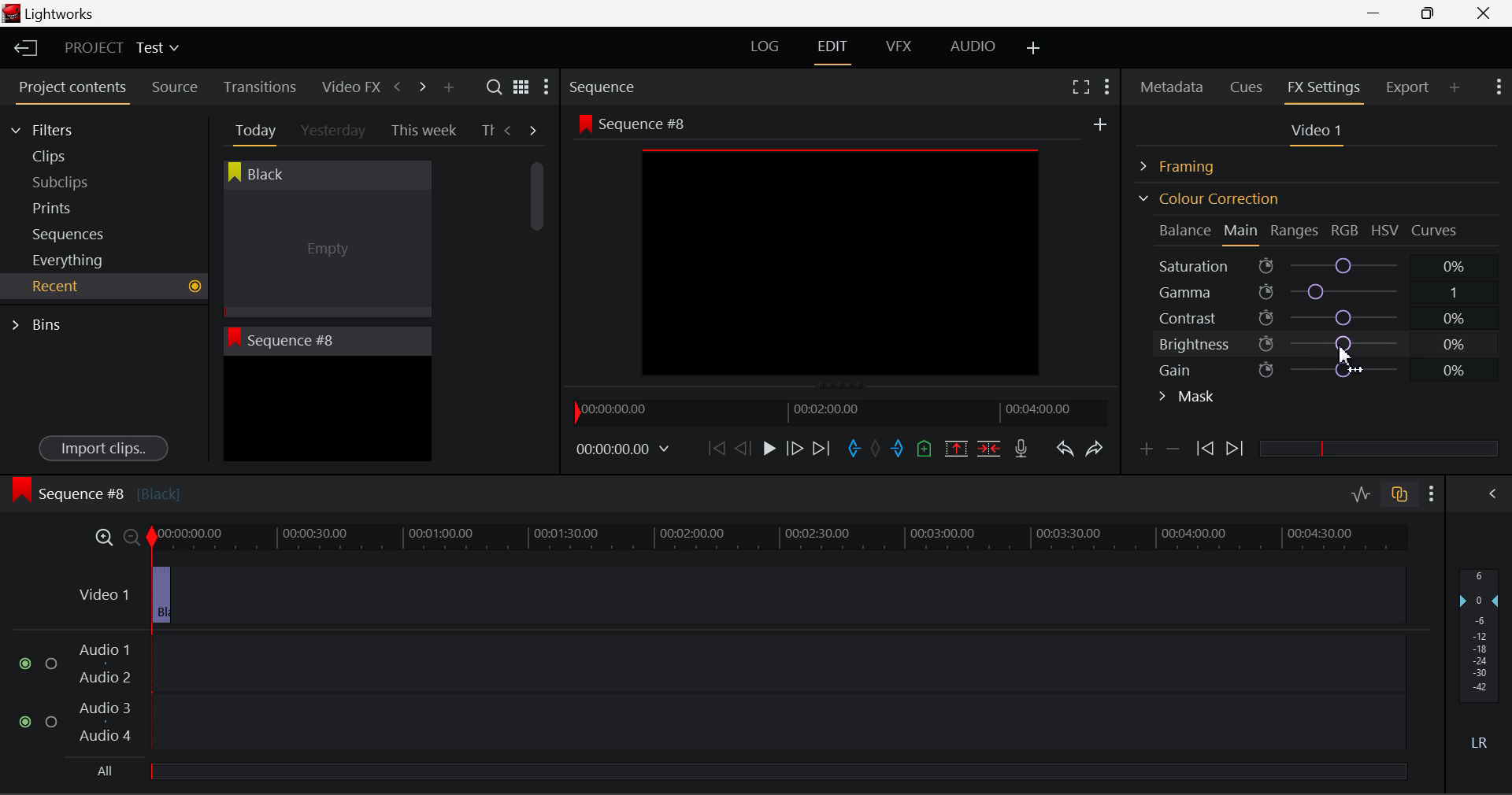 Image resolution: width=1512 pixels, height=795 pixels. What do you see at coordinates (101, 537) in the screenshot?
I see `Timeline Zoom In` at bounding box center [101, 537].